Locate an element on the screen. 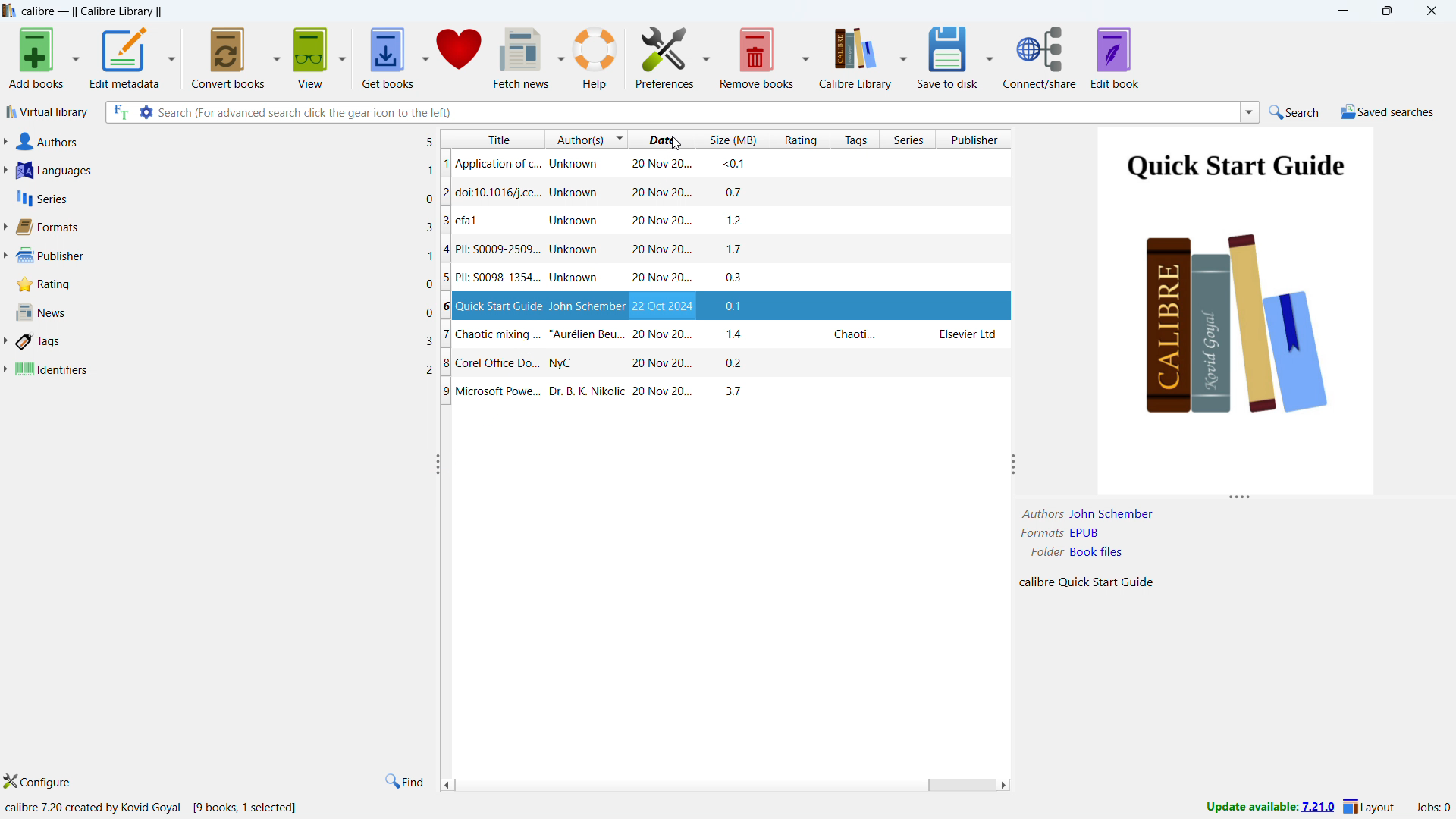  expand publisher is located at coordinates (5, 257).